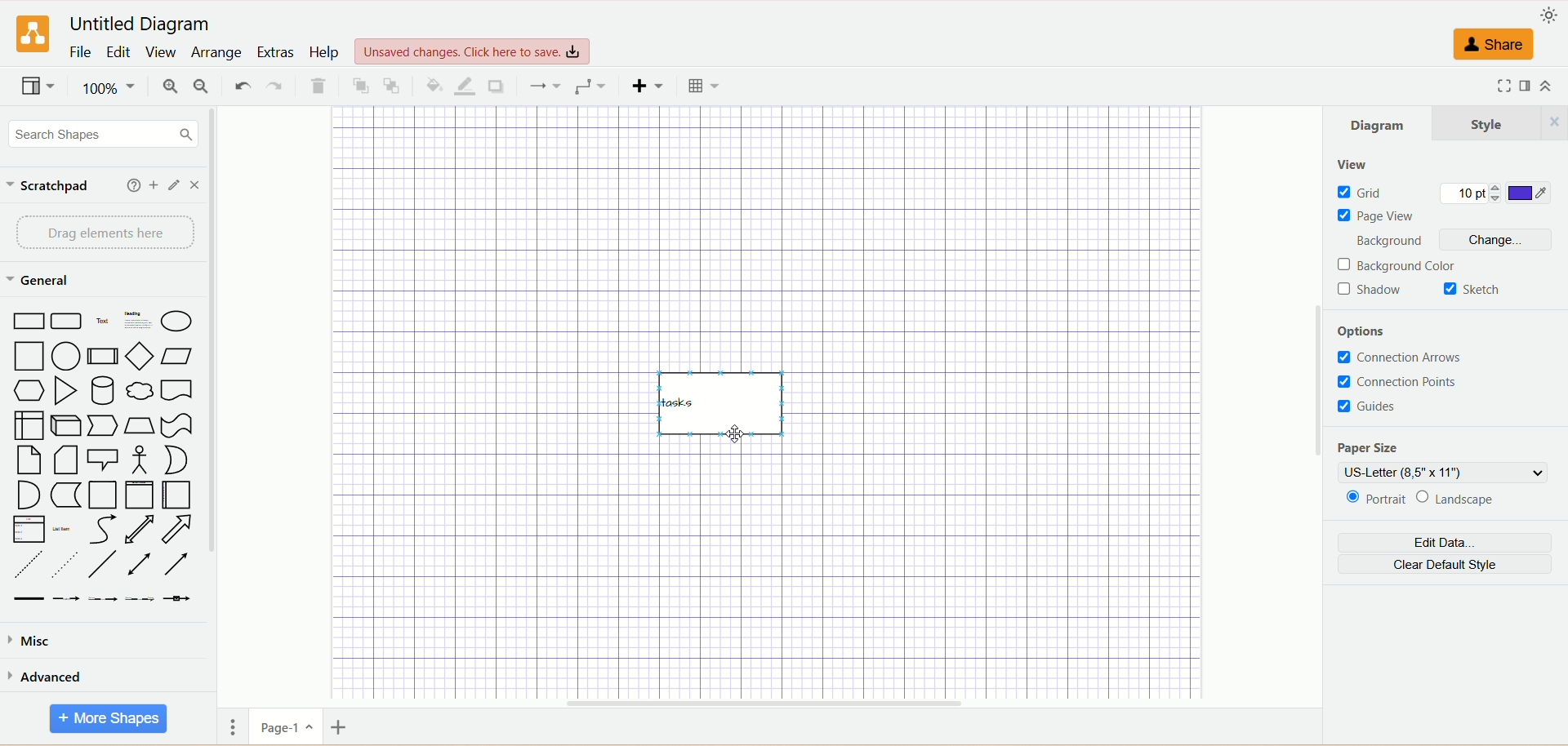 This screenshot has width=1568, height=746. I want to click on Diamond, so click(141, 358).